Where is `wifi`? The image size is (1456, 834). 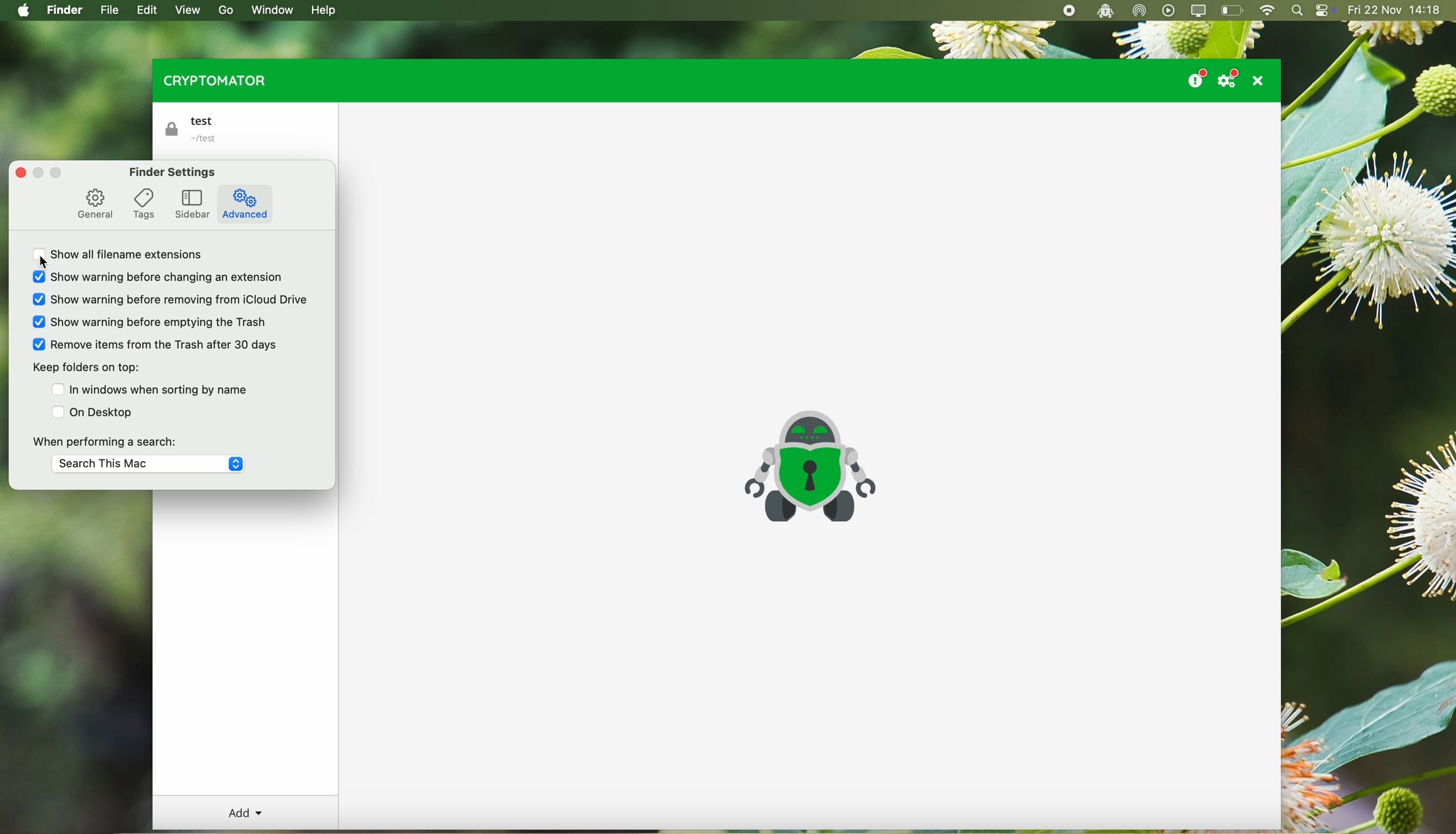
wifi is located at coordinates (1266, 11).